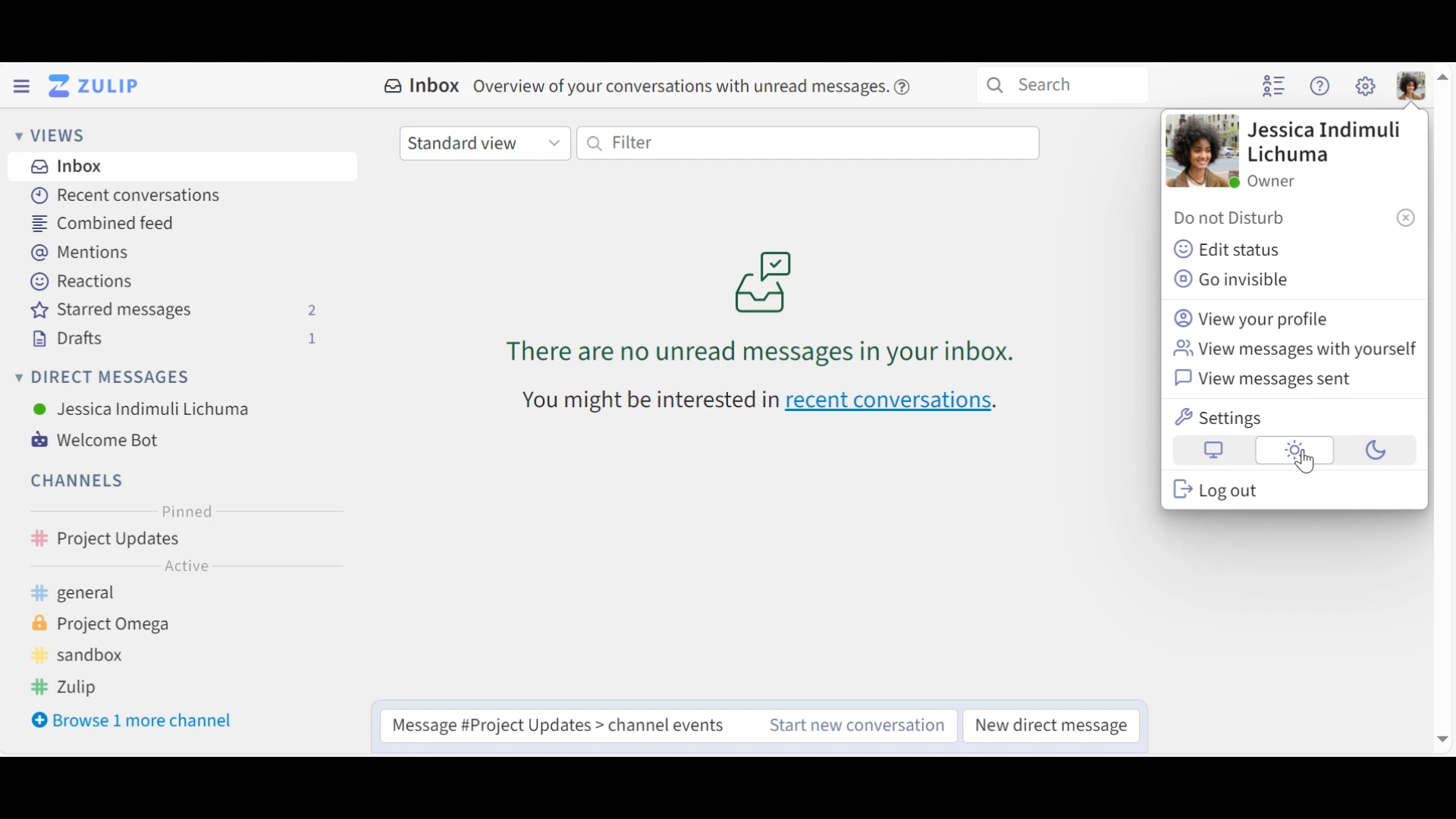 This screenshot has width=1456, height=819. Describe the element at coordinates (79, 689) in the screenshot. I see `Zulip` at that location.